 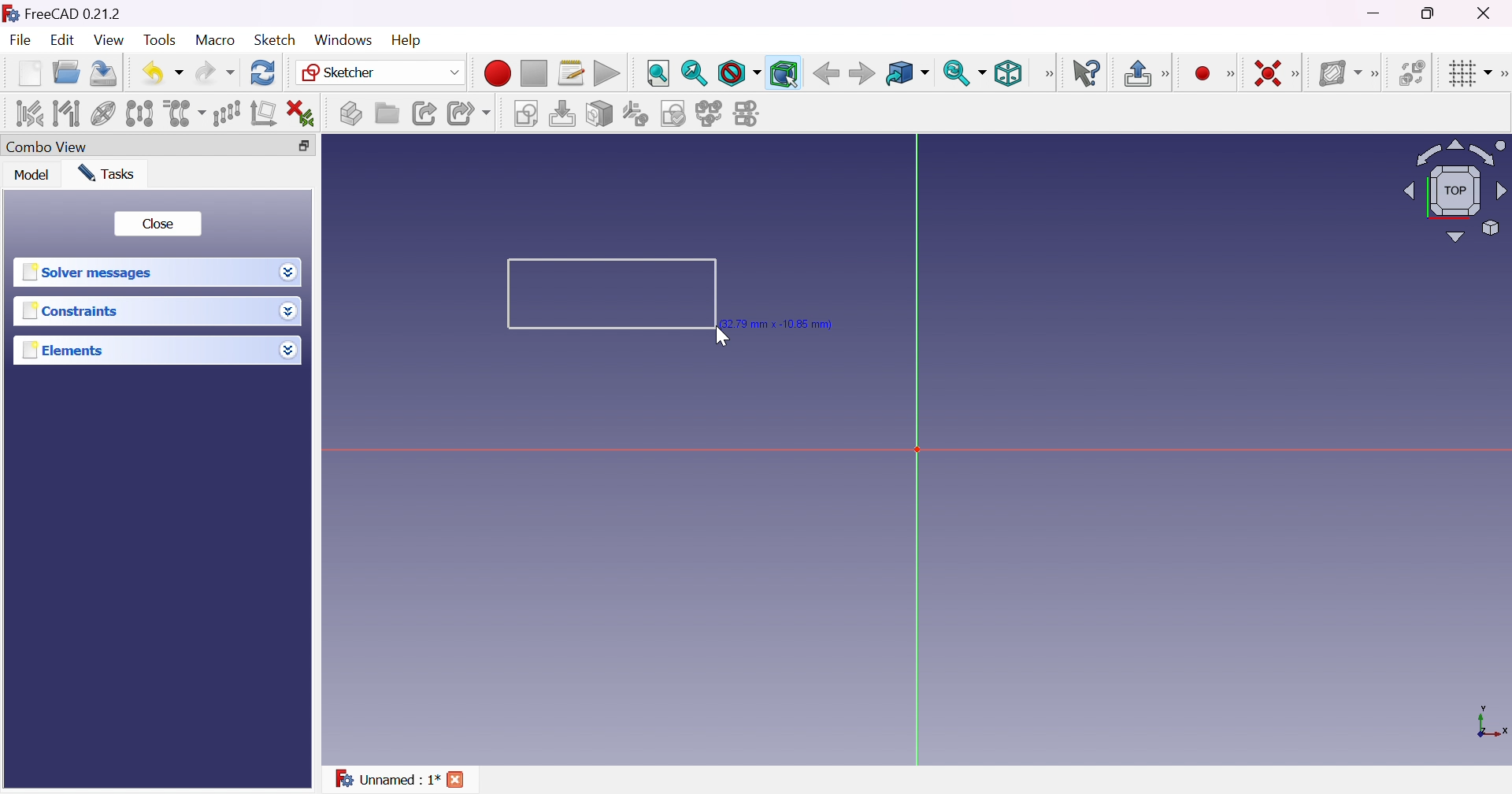 I want to click on Create sketch, so click(x=524, y=113).